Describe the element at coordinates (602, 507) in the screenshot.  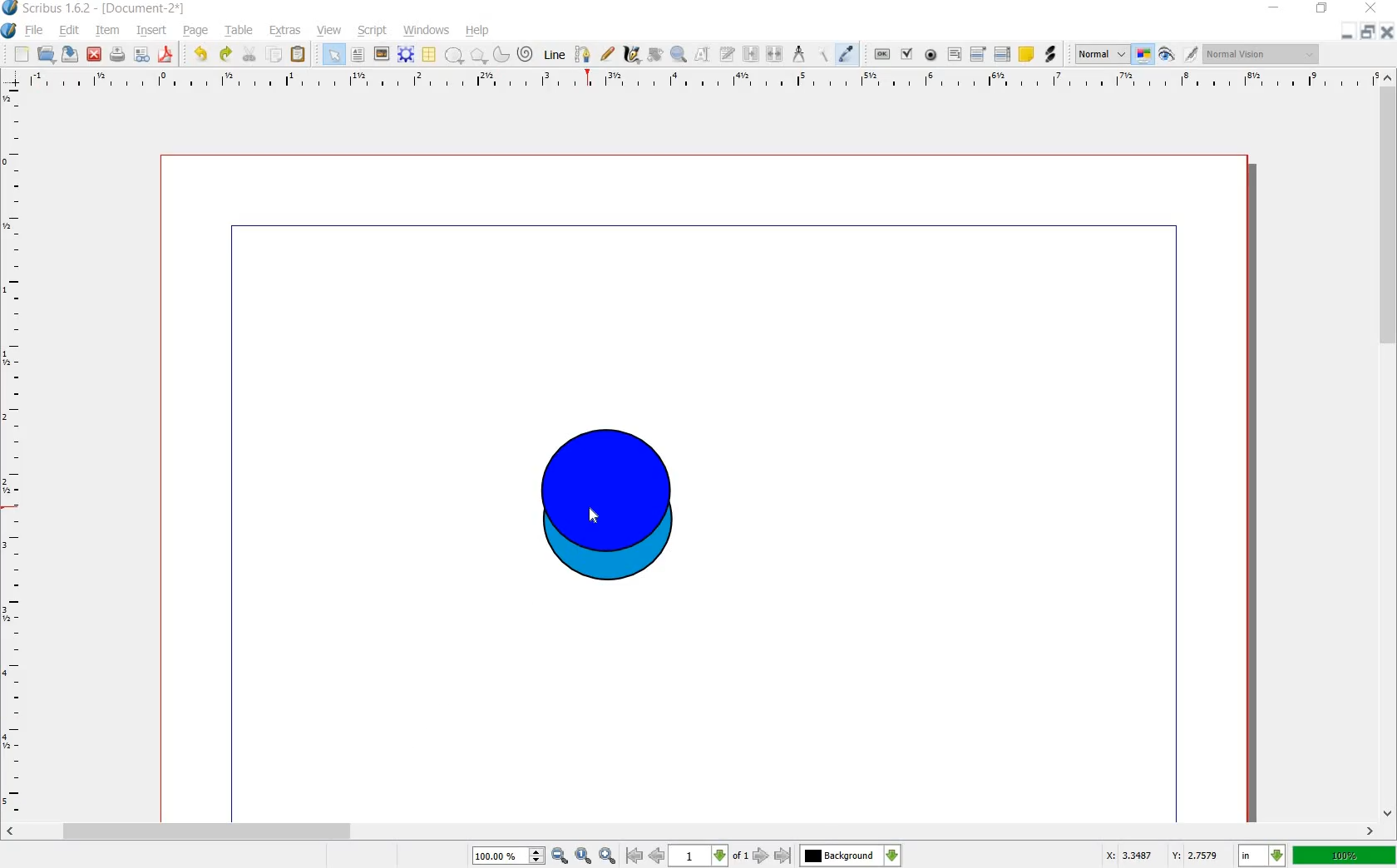
I see `OVERLAPPING SHAPES` at that location.